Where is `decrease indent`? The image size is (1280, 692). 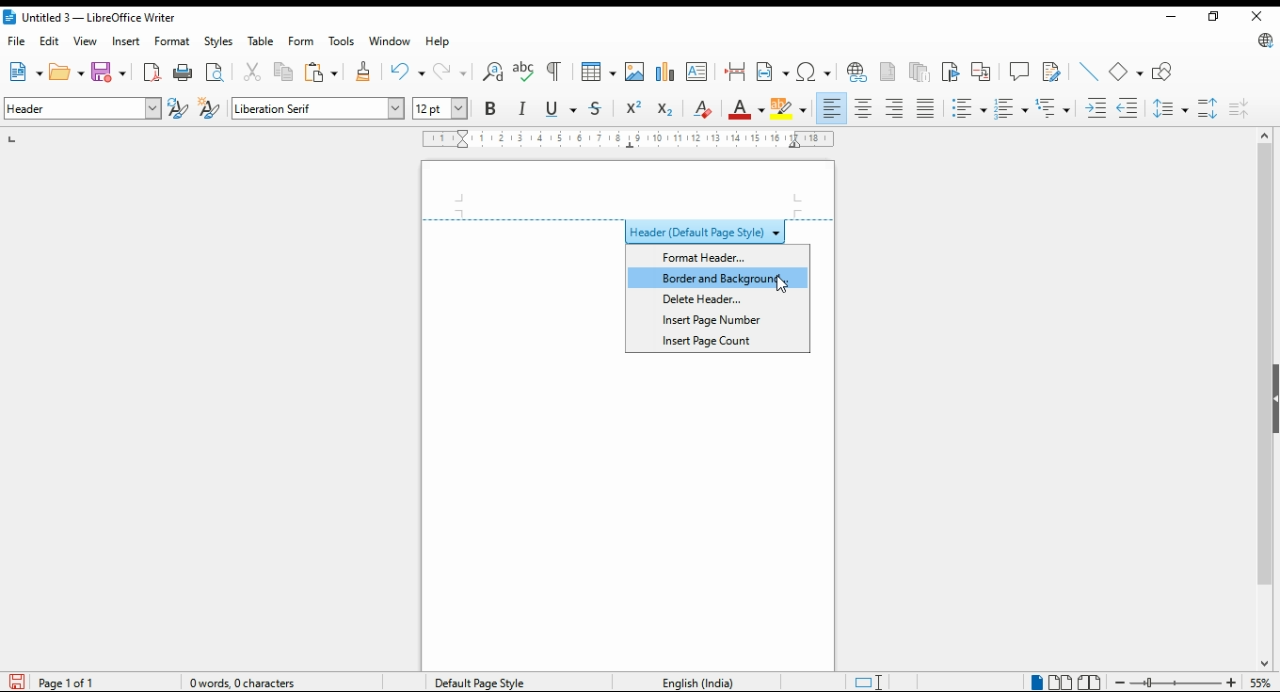
decrease indent is located at coordinates (1129, 107).